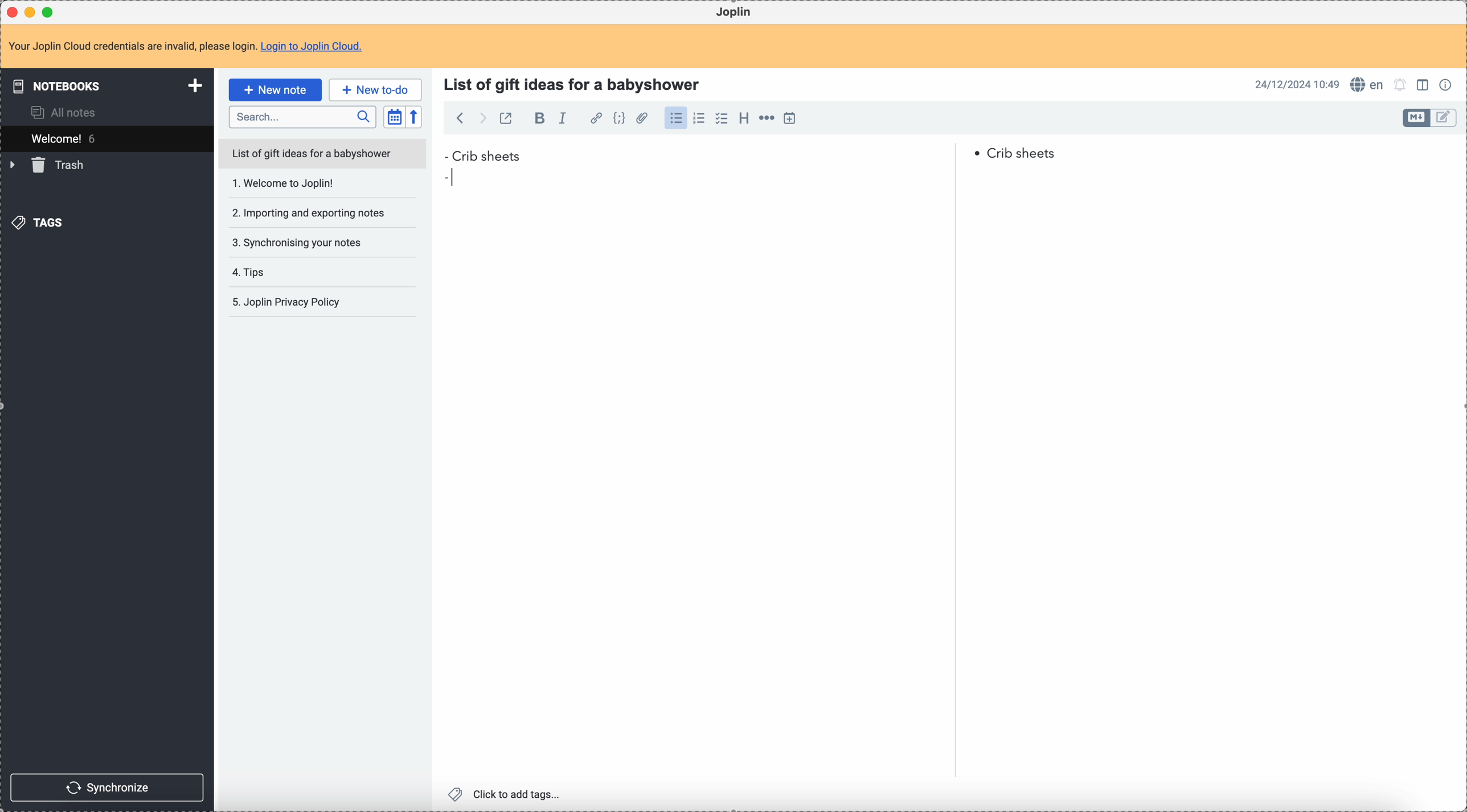  What do you see at coordinates (722, 119) in the screenshot?
I see `checklist` at bounding box center [722, 119].